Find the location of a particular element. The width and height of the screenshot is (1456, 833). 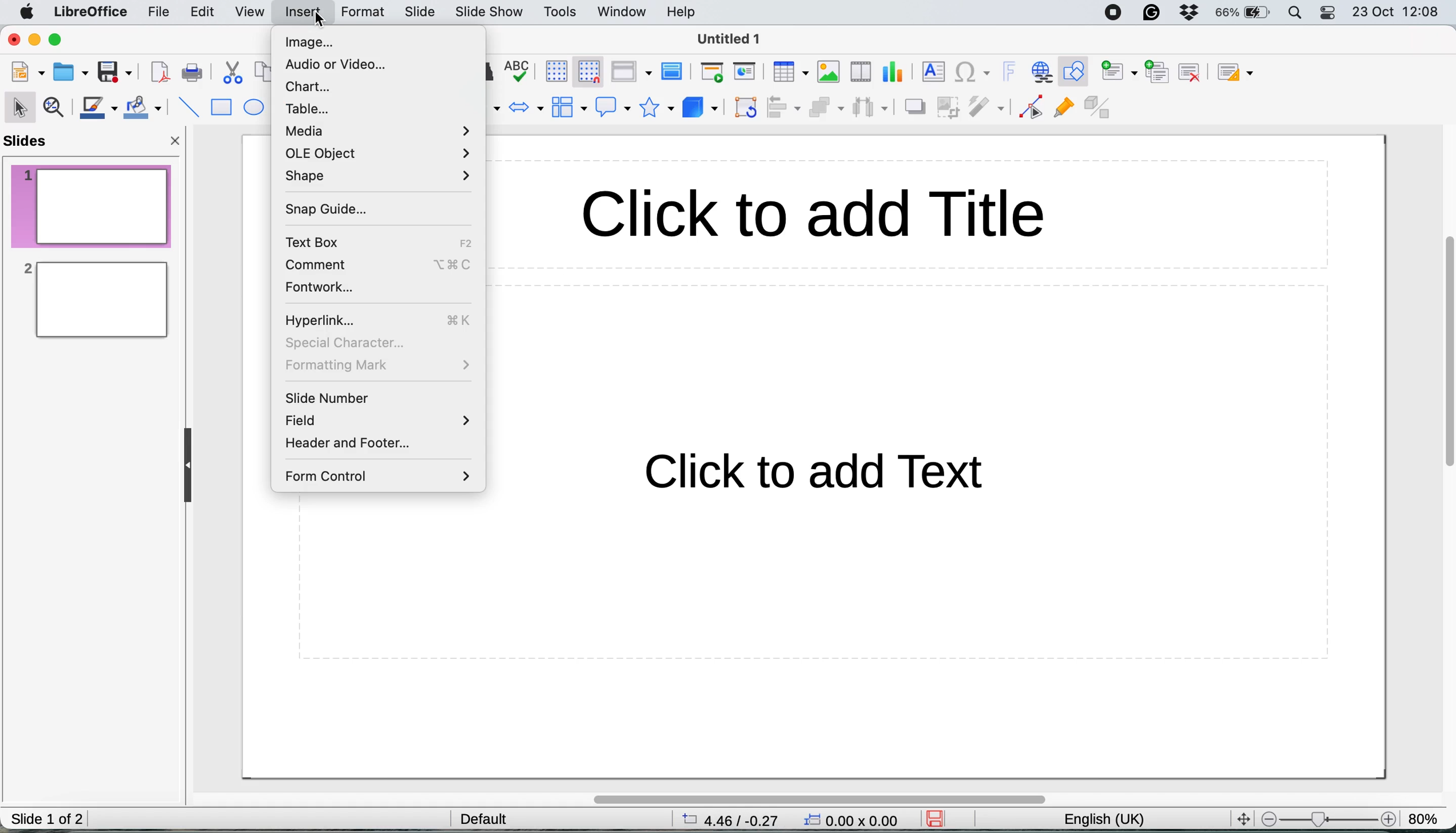

file is located at coordinates (161, 12).